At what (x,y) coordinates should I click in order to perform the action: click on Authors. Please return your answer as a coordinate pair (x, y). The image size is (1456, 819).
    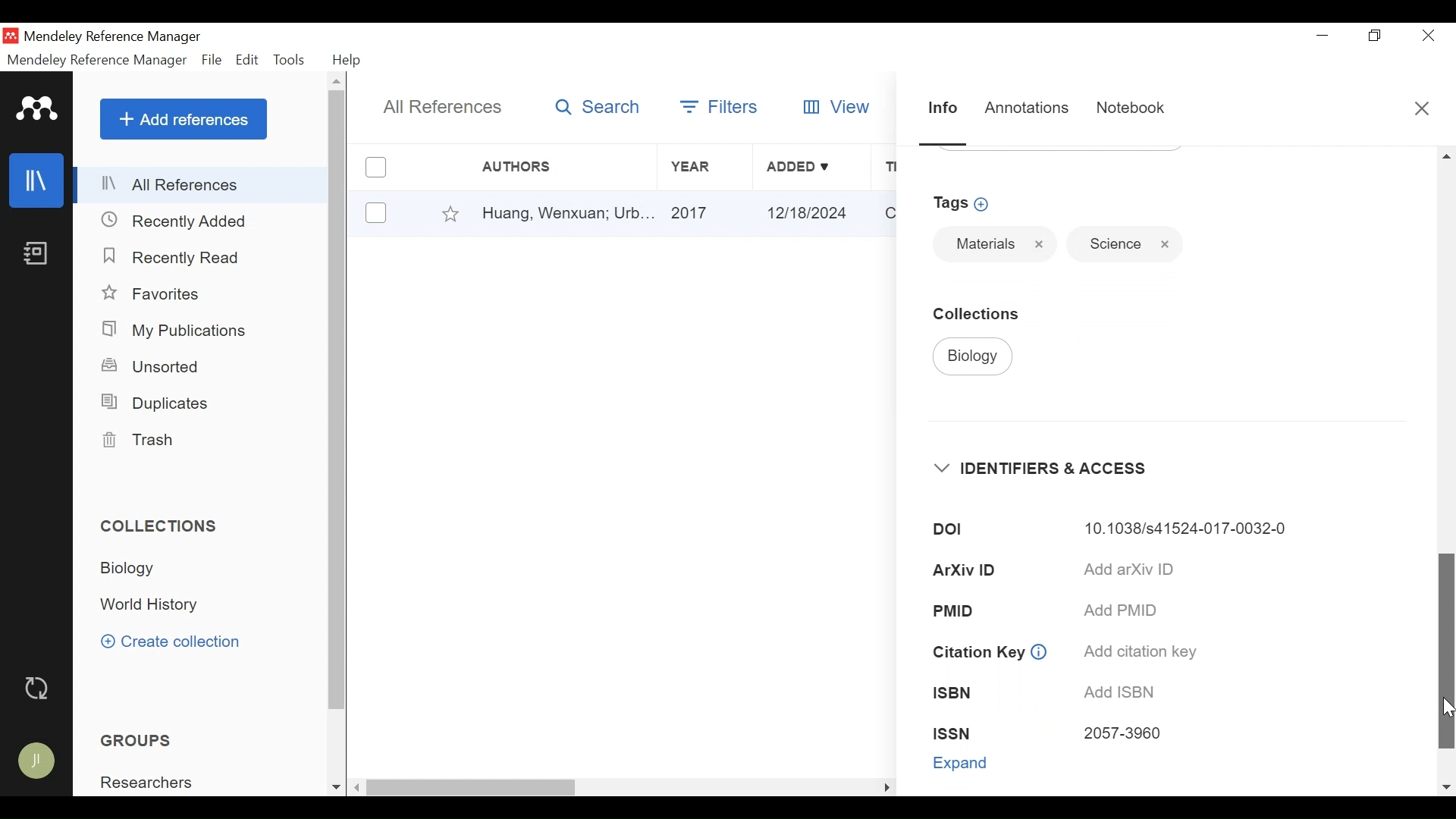
    Looking at the image, I should click on (532, 167).